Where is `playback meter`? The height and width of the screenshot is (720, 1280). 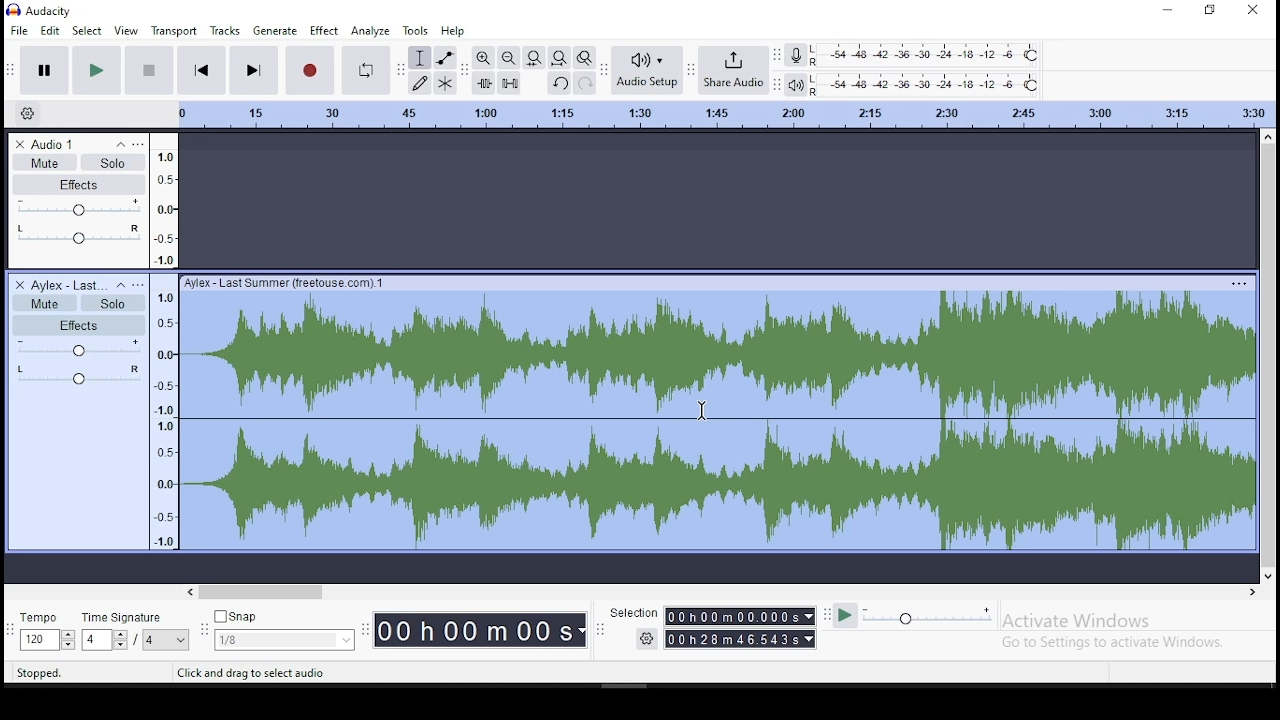 playback meter is located at coordinates (926, 86).